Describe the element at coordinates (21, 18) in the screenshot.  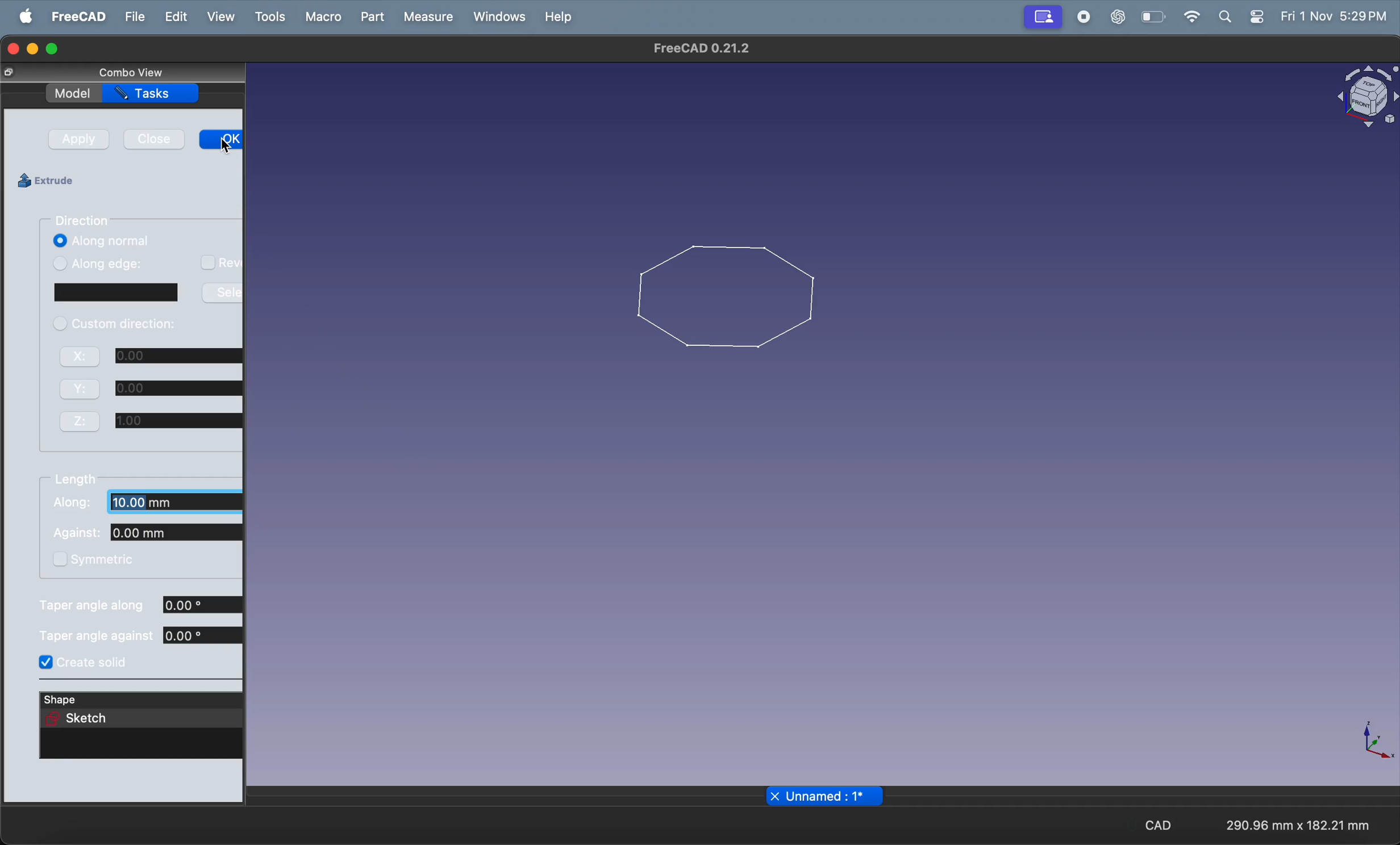
I see `apple menu` at that location.